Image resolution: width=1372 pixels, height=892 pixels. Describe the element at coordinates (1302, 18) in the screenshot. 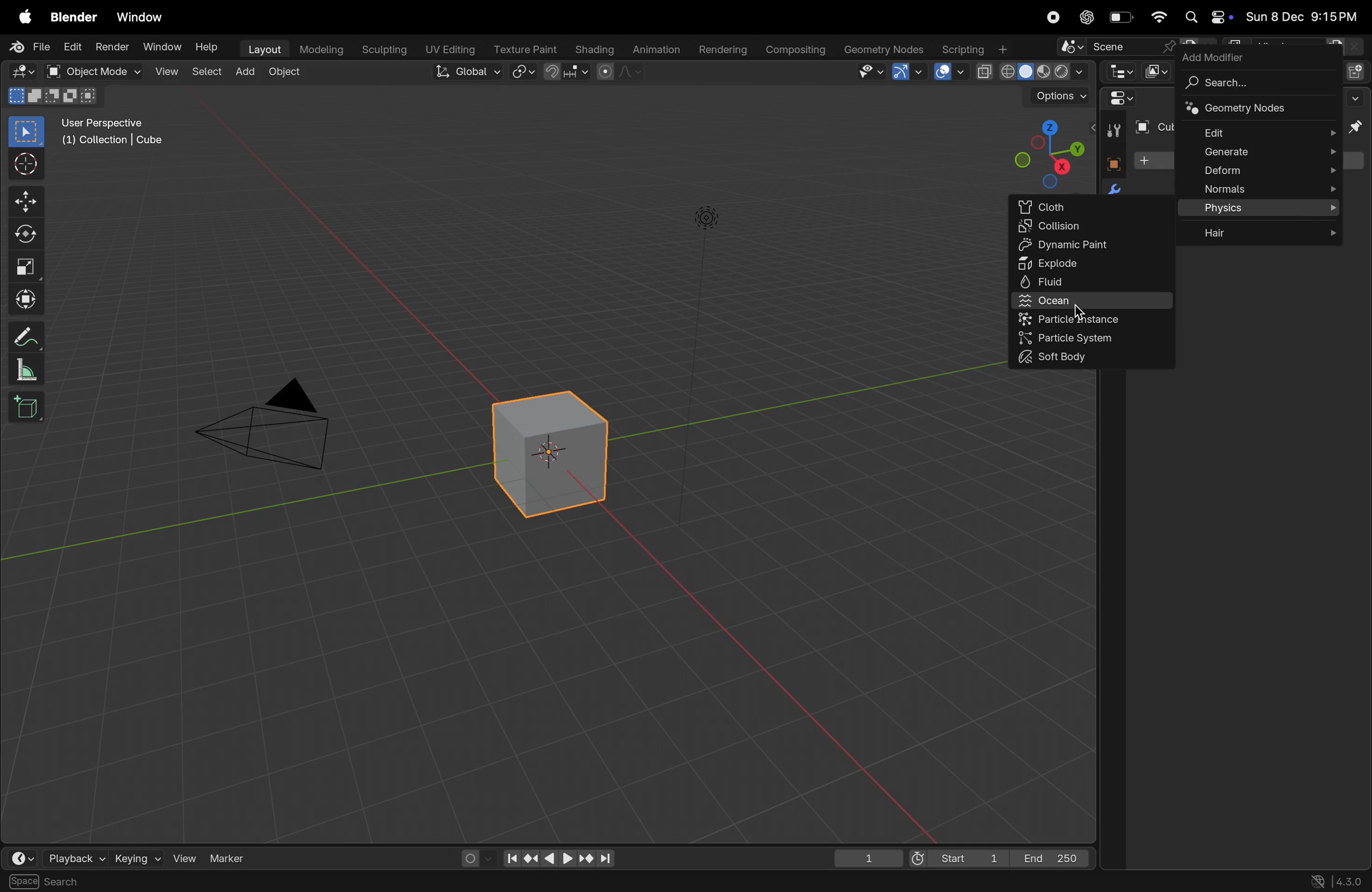

I see `date and time` at that location.